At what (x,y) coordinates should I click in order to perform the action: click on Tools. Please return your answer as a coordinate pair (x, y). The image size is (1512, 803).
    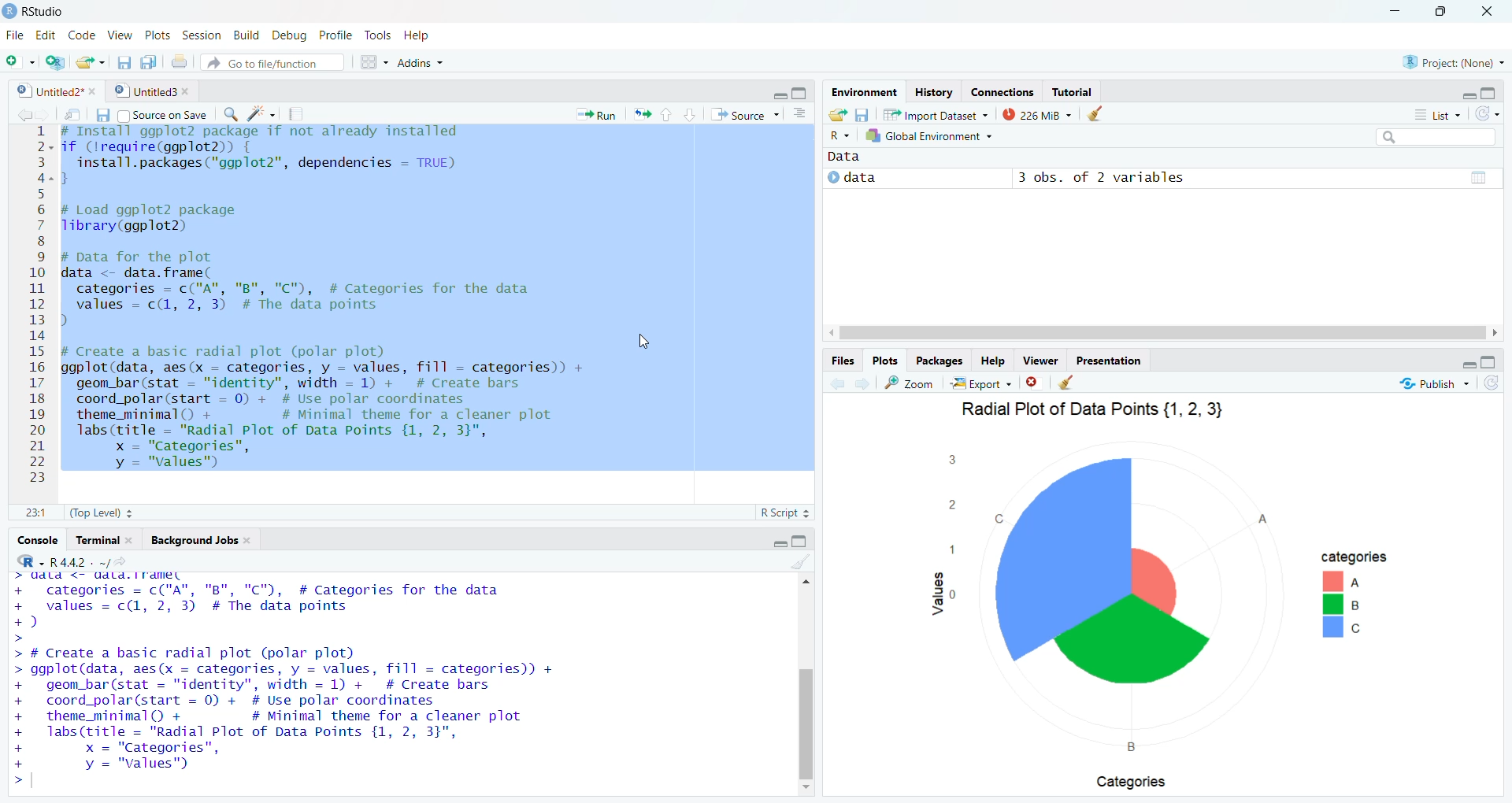
    Looking at the image, I should click on (376, 35).